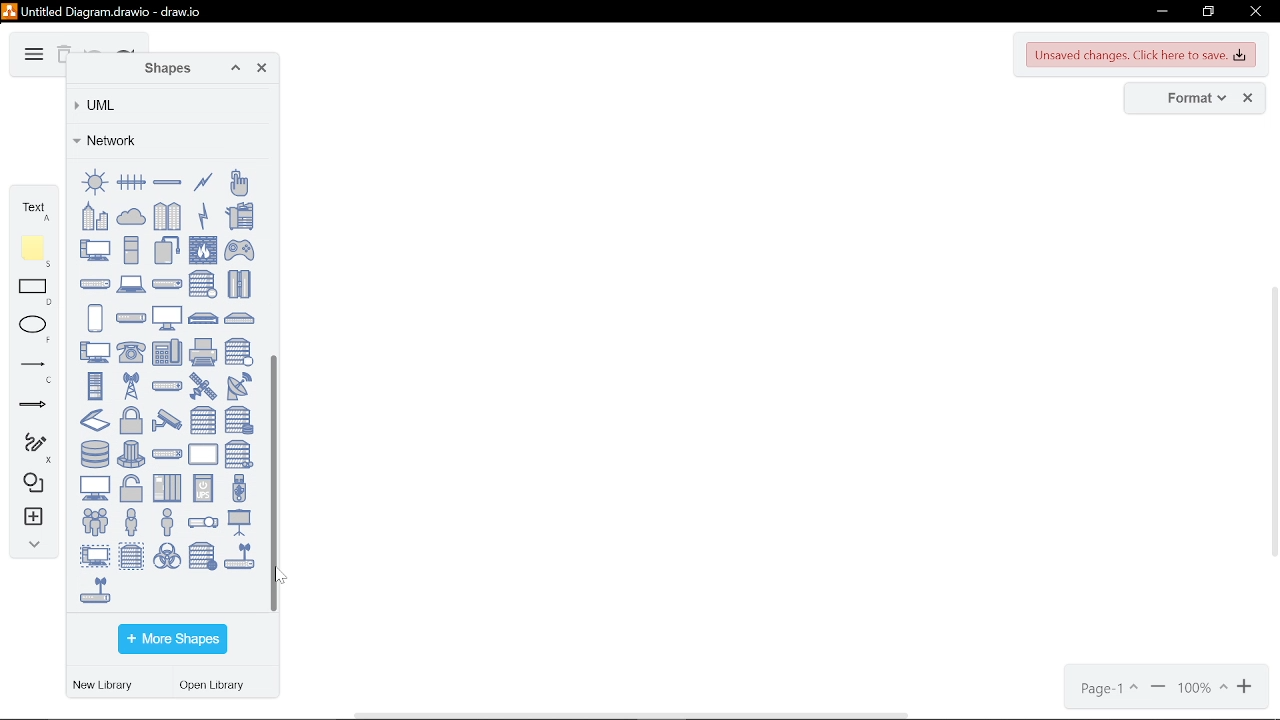 This screenshot has height=720, width=1280. Describe the element at coordinates (131, 353) in the screenshot. I see `phone` at that location.